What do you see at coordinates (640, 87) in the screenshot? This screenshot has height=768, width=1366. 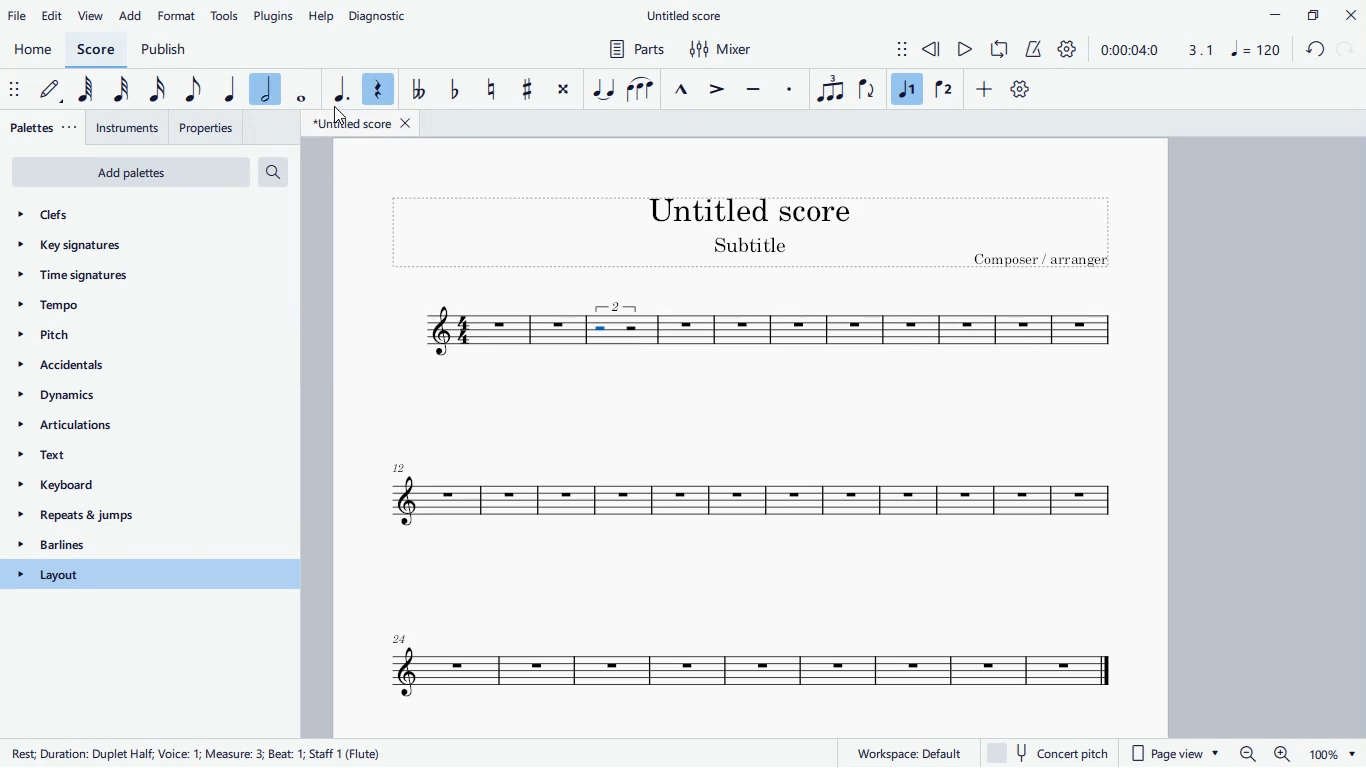 I see `slur` at bounding box center [640, 87].